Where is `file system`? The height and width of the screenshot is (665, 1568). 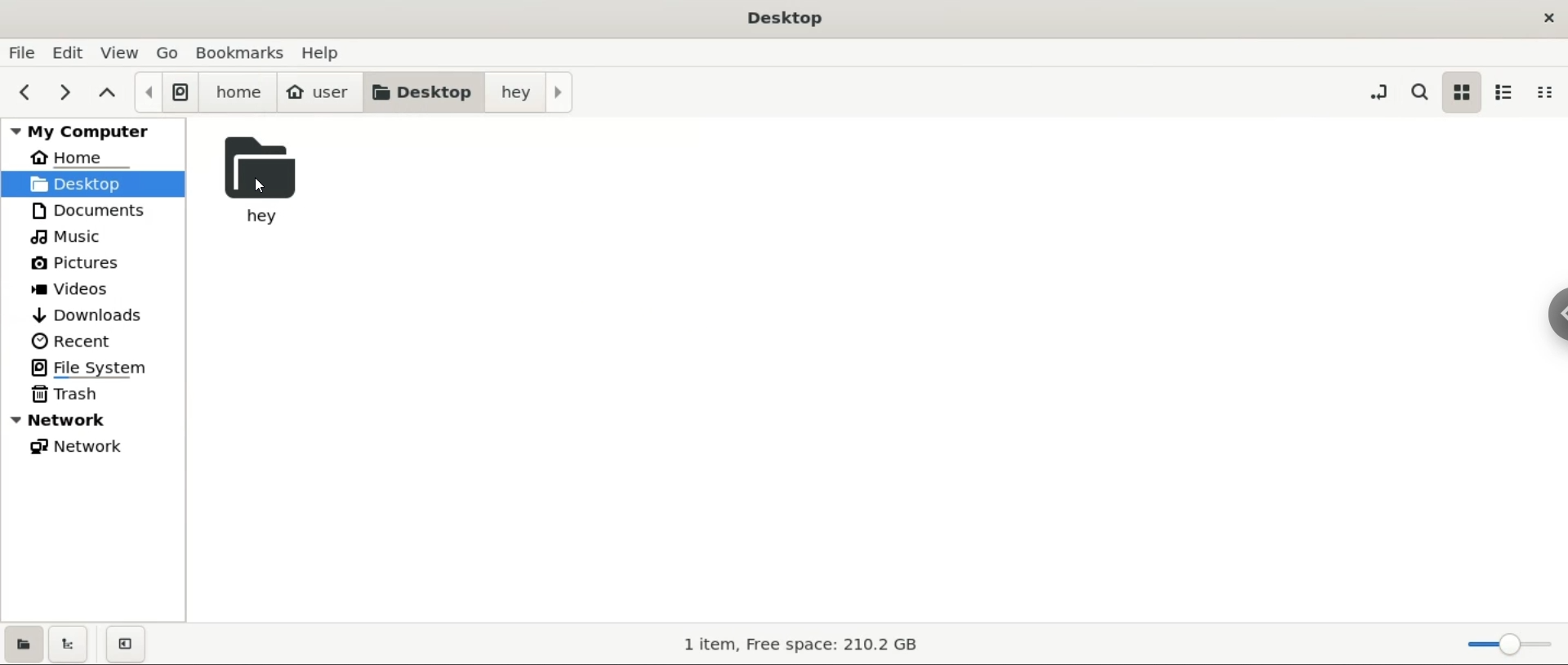
file system is located at coordinates (92, 368).